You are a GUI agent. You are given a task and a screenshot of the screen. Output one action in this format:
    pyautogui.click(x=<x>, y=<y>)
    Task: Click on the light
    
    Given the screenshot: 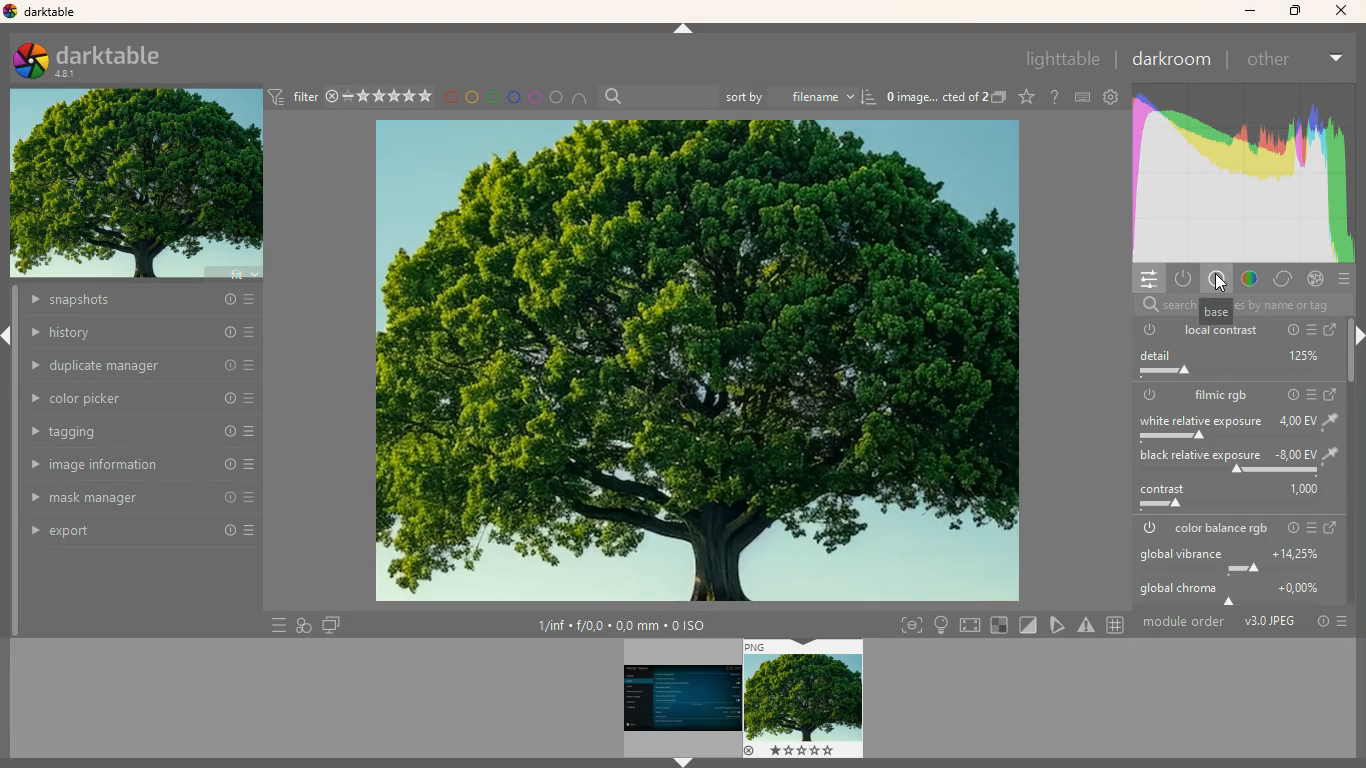 What is the action you would take?
    pyautogui.click(x=943, y=626)
    